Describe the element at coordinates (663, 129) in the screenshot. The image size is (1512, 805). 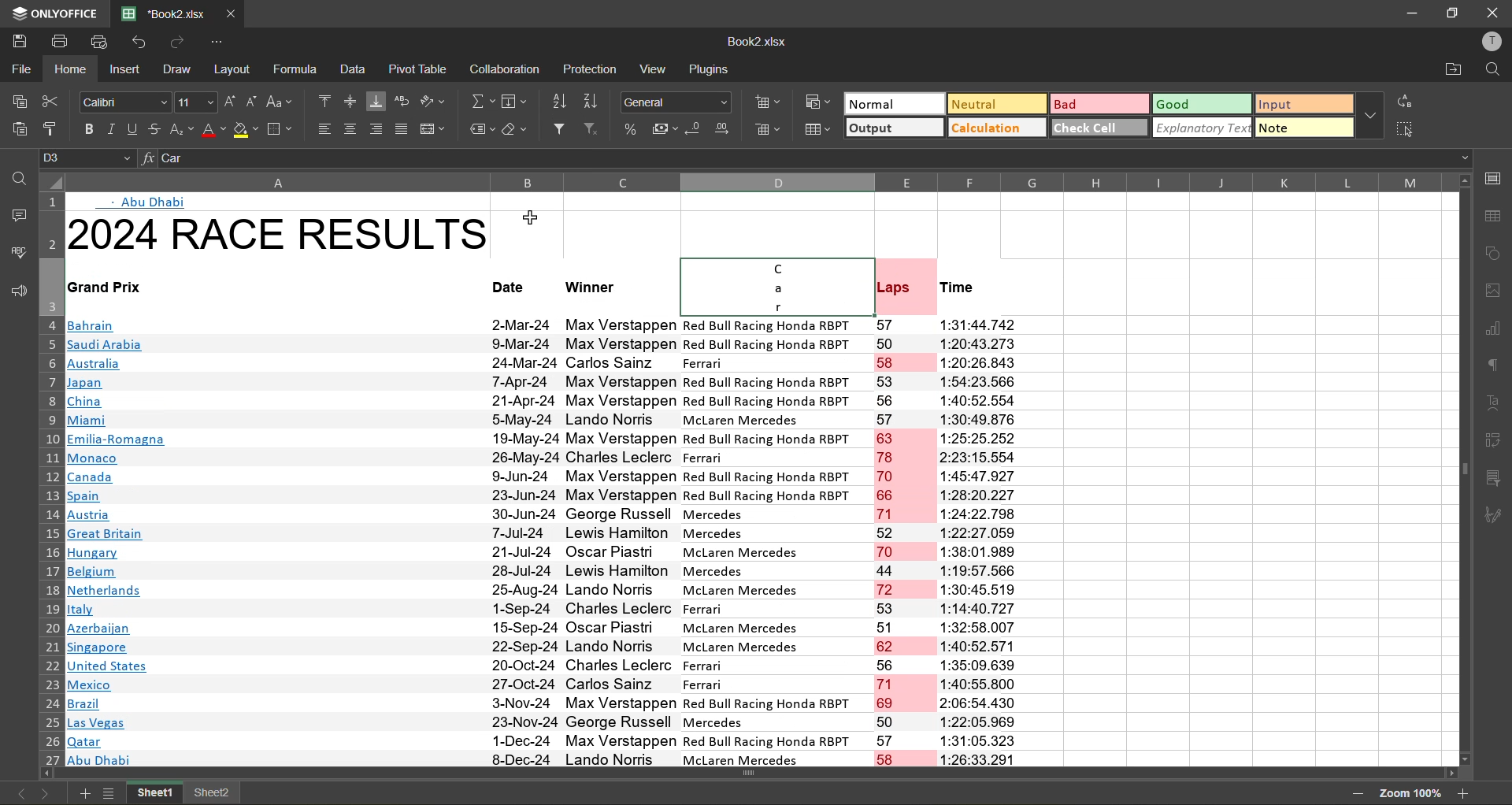
I see `accounting` at that location.